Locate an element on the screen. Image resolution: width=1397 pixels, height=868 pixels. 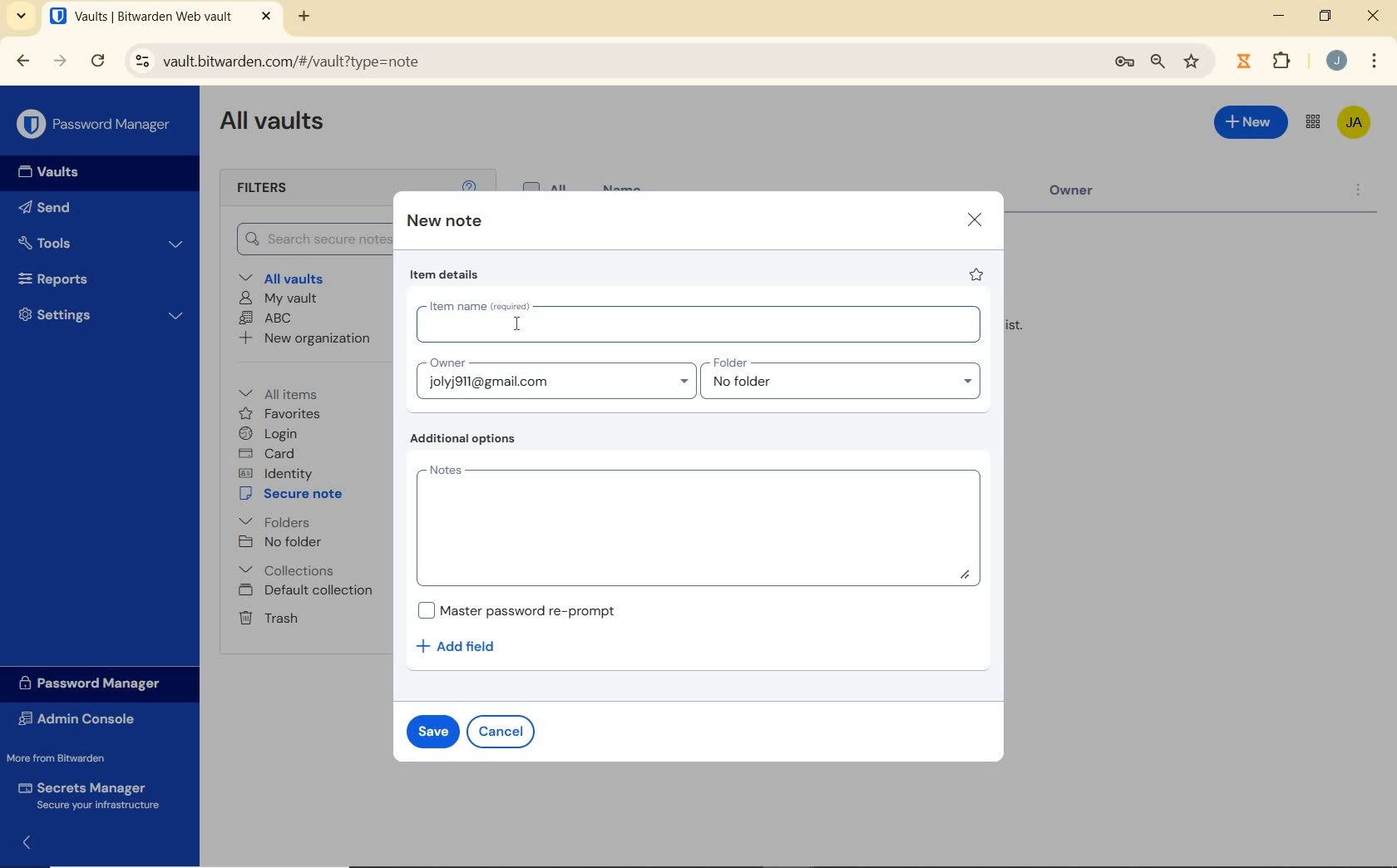
item details is located at coordinates (447, 274).